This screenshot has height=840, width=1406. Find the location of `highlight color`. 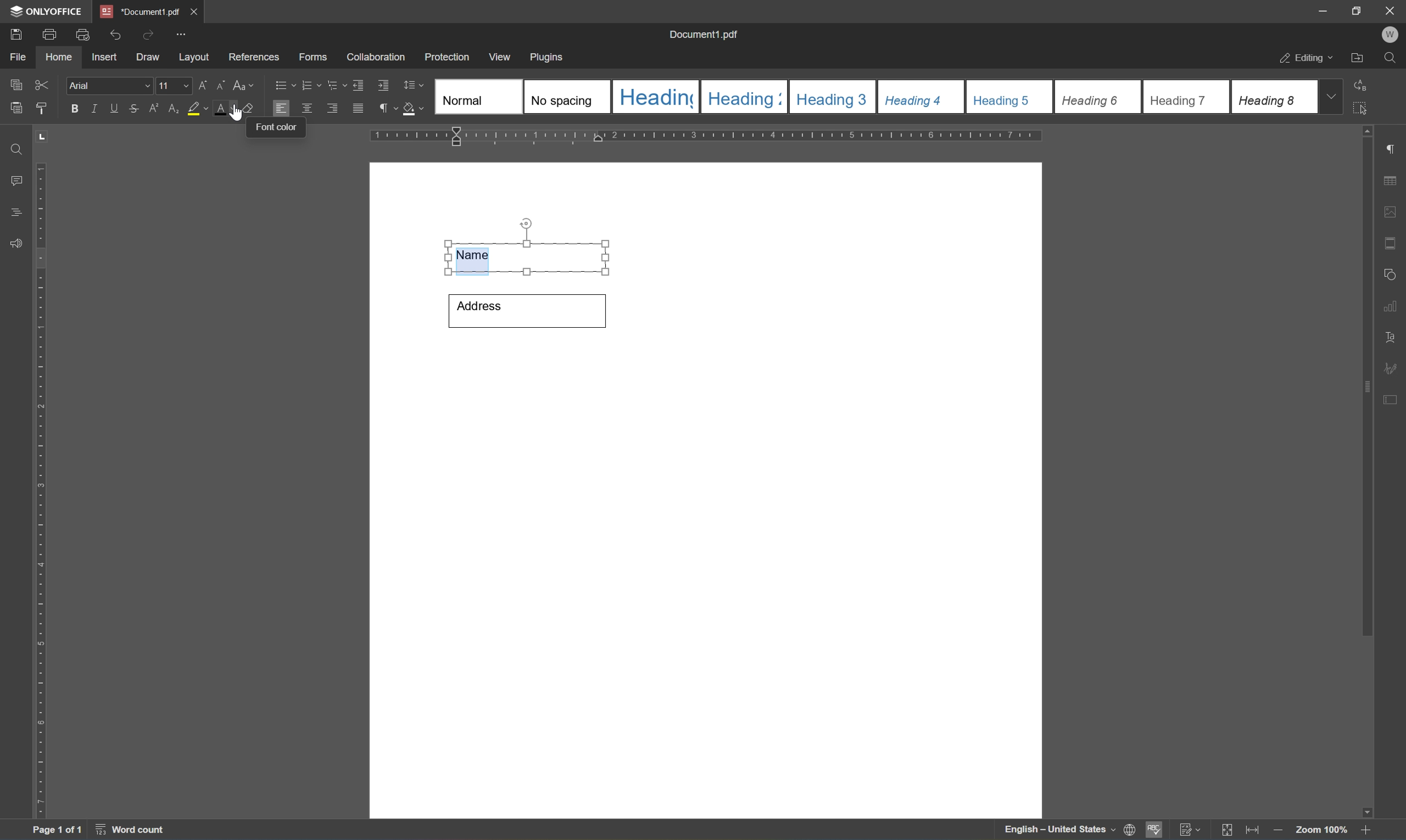

highlight color is located at coordinates (197, 109).